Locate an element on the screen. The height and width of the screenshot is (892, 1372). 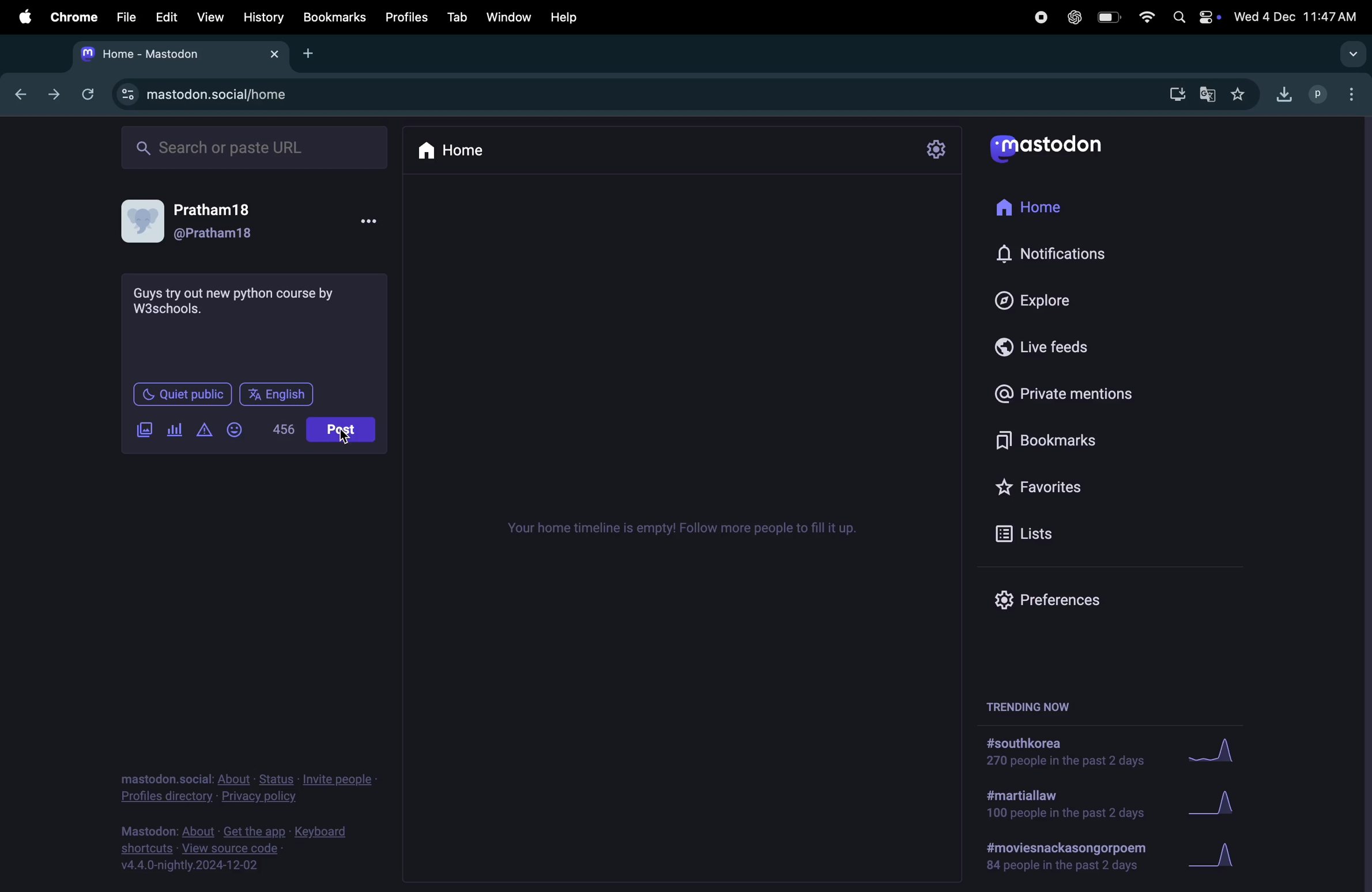
 is located at coordinates (1339, 52).